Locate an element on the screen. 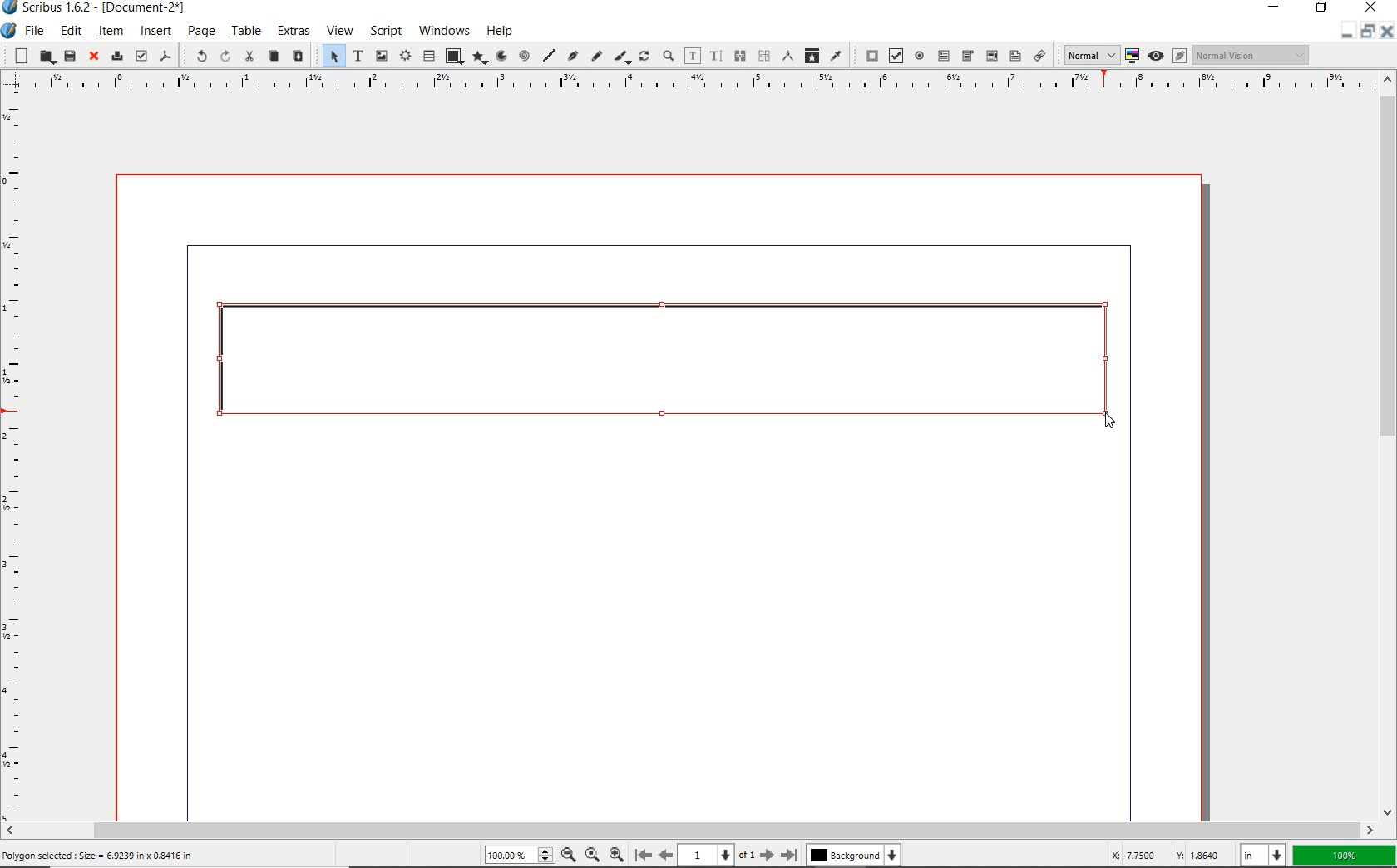 The height and width of the screenshot is (868, 1397). close is located at coordinates (1370, 8).